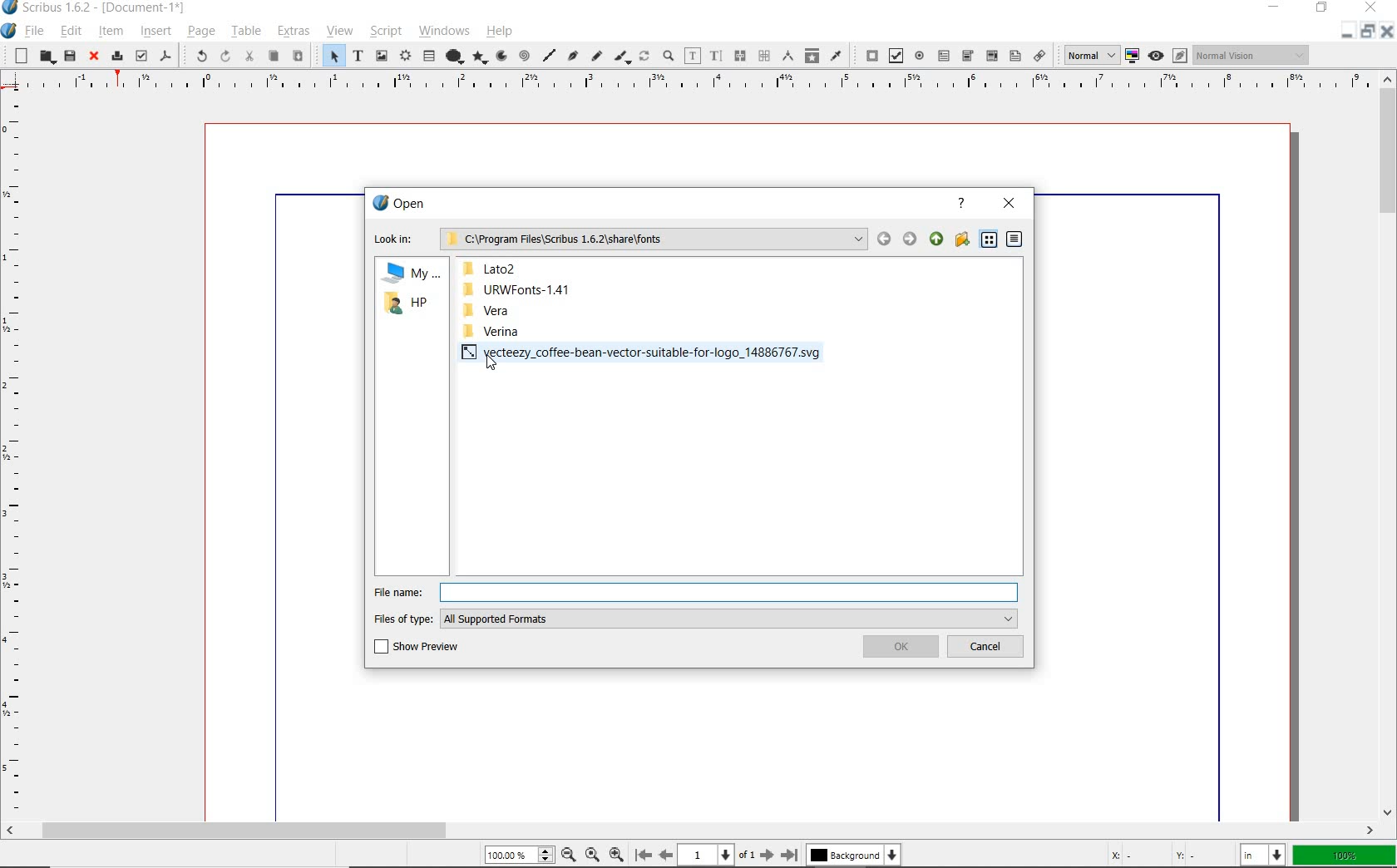 The height and width of the screenshot is (868, 1397). Describe the element at coordinates (69, 57) in the screenshot. I see `save` at that location.